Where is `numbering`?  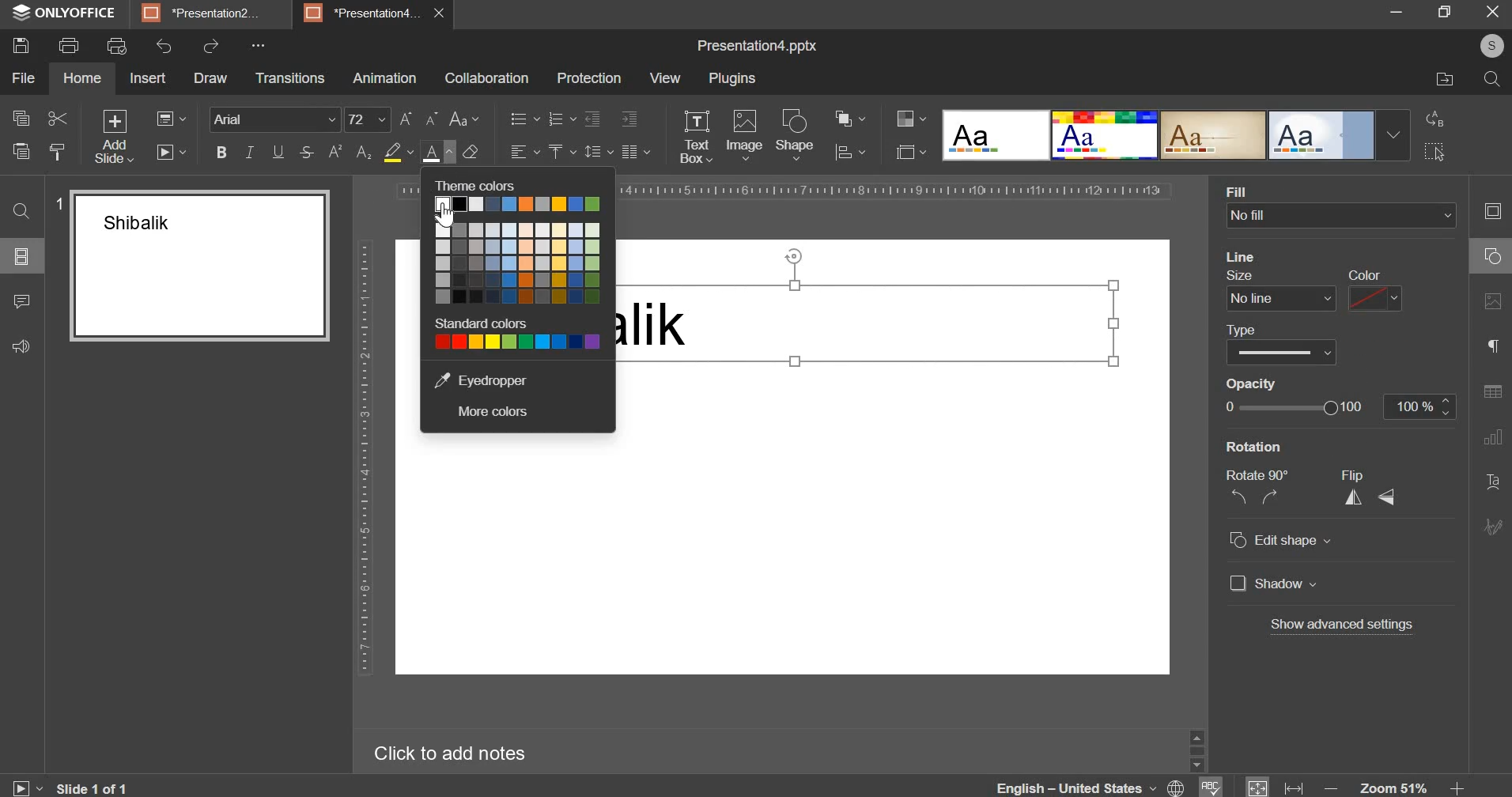
numbering is located at coordinates (561, 119).